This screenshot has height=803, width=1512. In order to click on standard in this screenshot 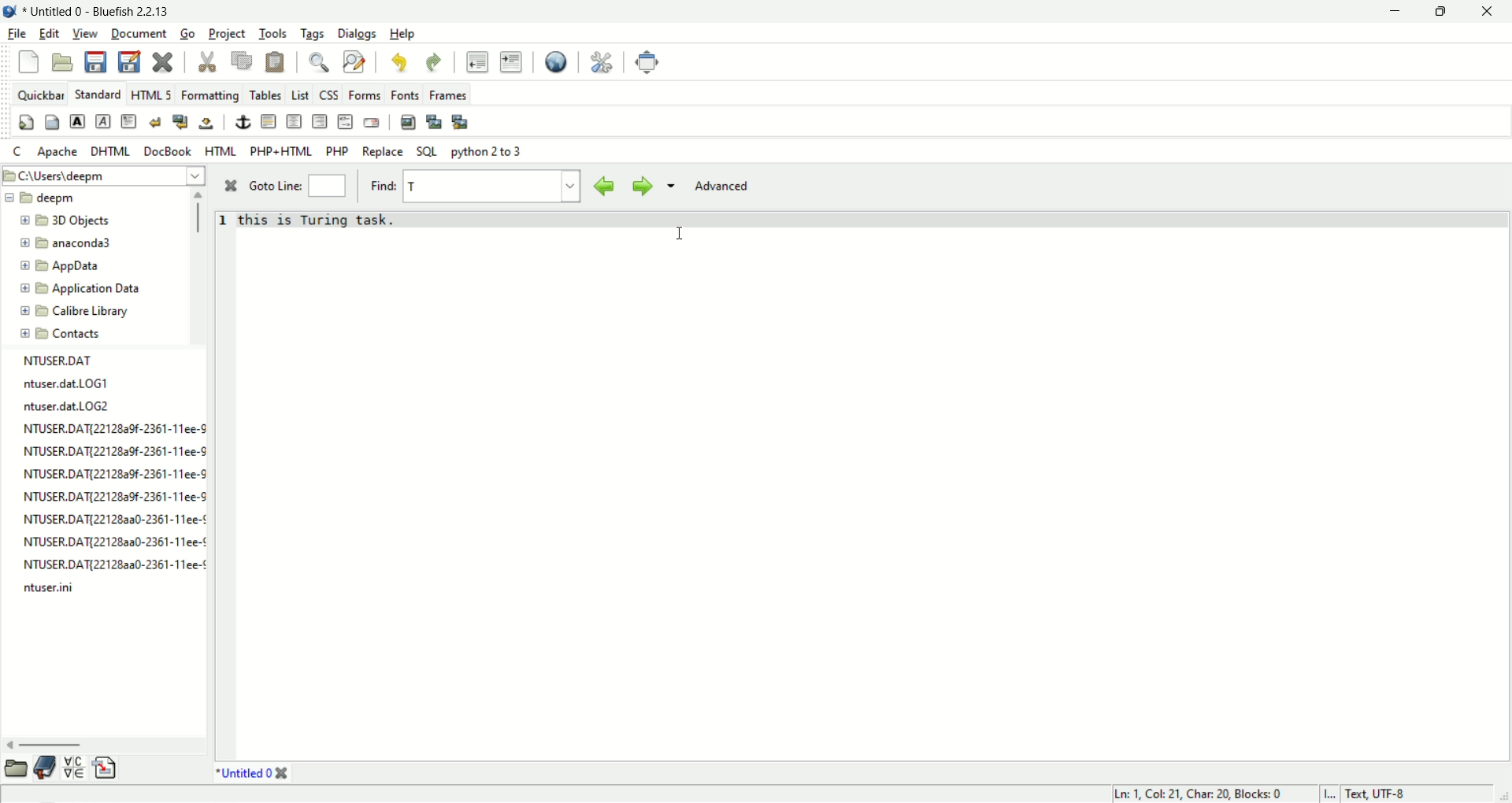, I will do `click(98, 93)`.